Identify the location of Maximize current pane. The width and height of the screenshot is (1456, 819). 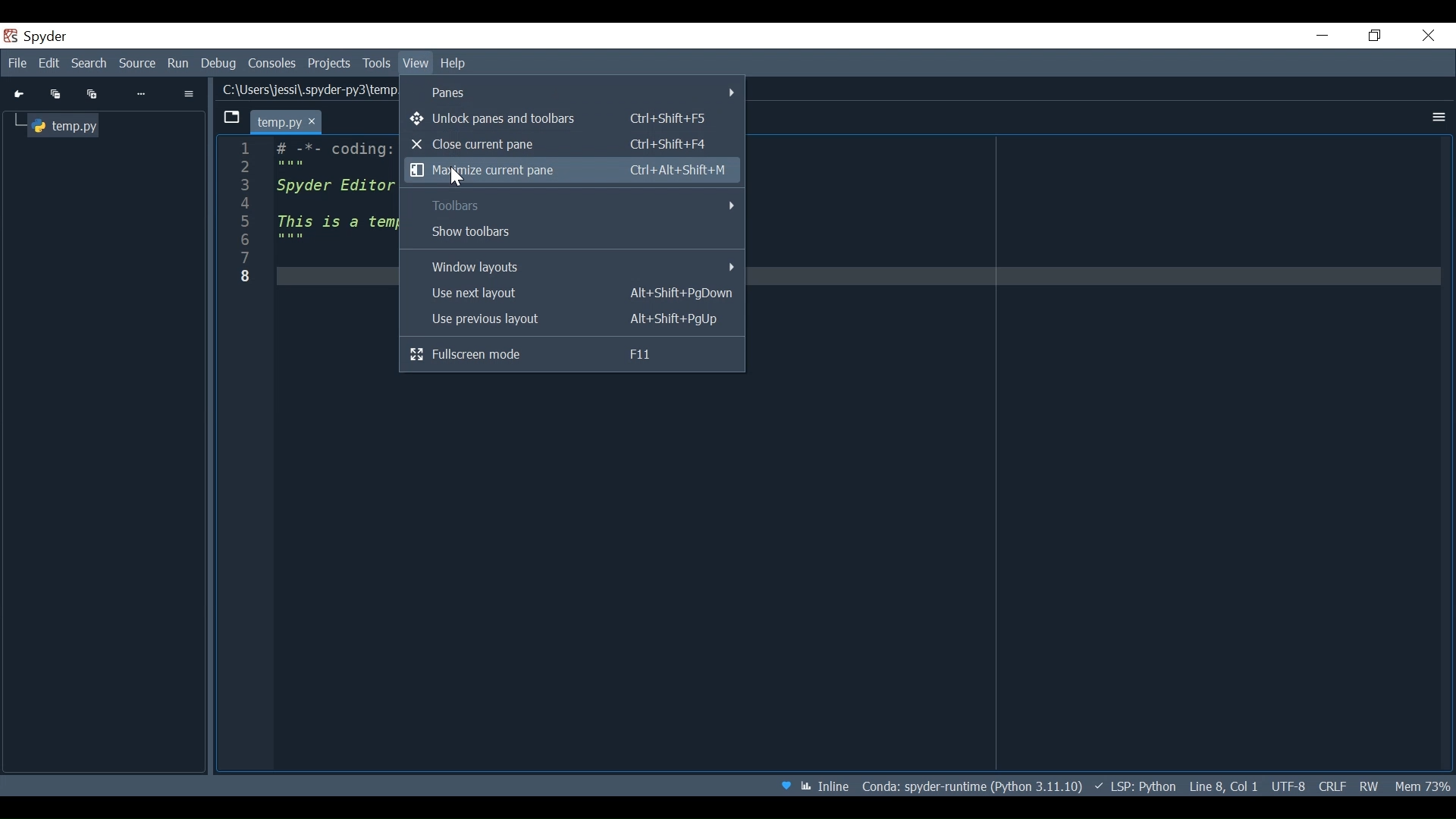
(572, 171).